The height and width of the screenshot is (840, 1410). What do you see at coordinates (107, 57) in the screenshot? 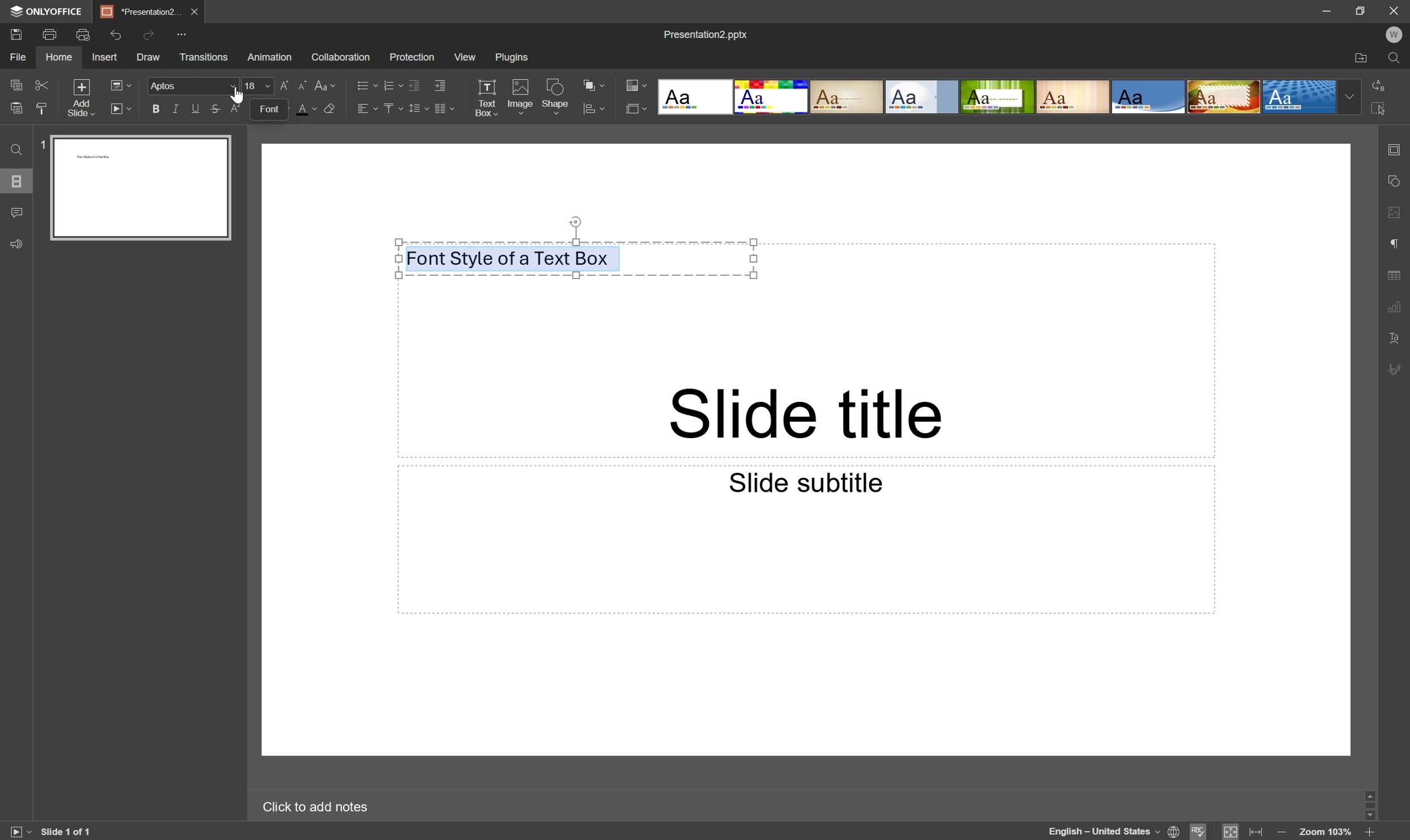
I see `Insert` at bounding box center [107, 57].